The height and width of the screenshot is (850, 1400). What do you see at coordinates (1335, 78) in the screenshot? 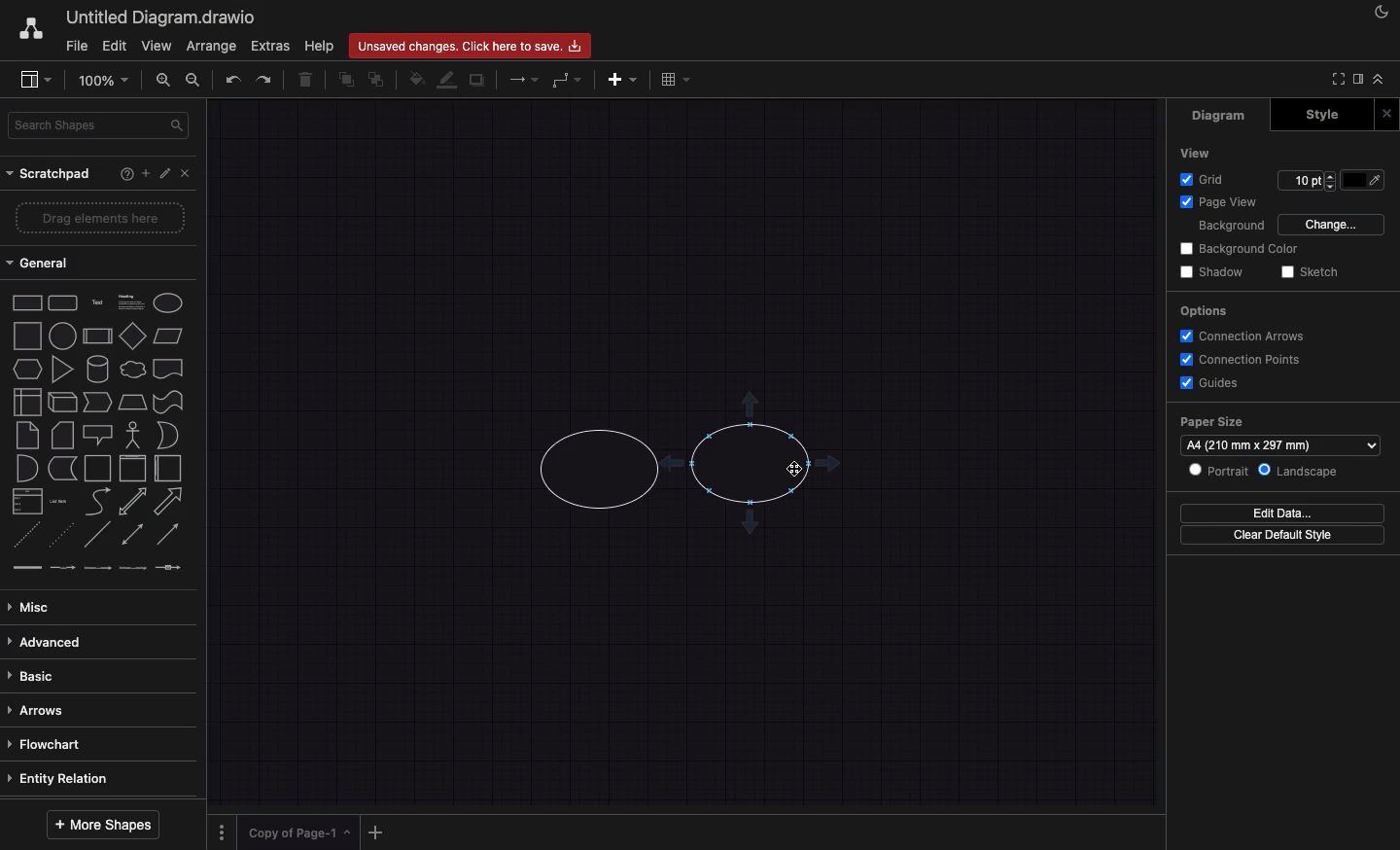
I see `fullscreen` at bounding box center [1335, 78].